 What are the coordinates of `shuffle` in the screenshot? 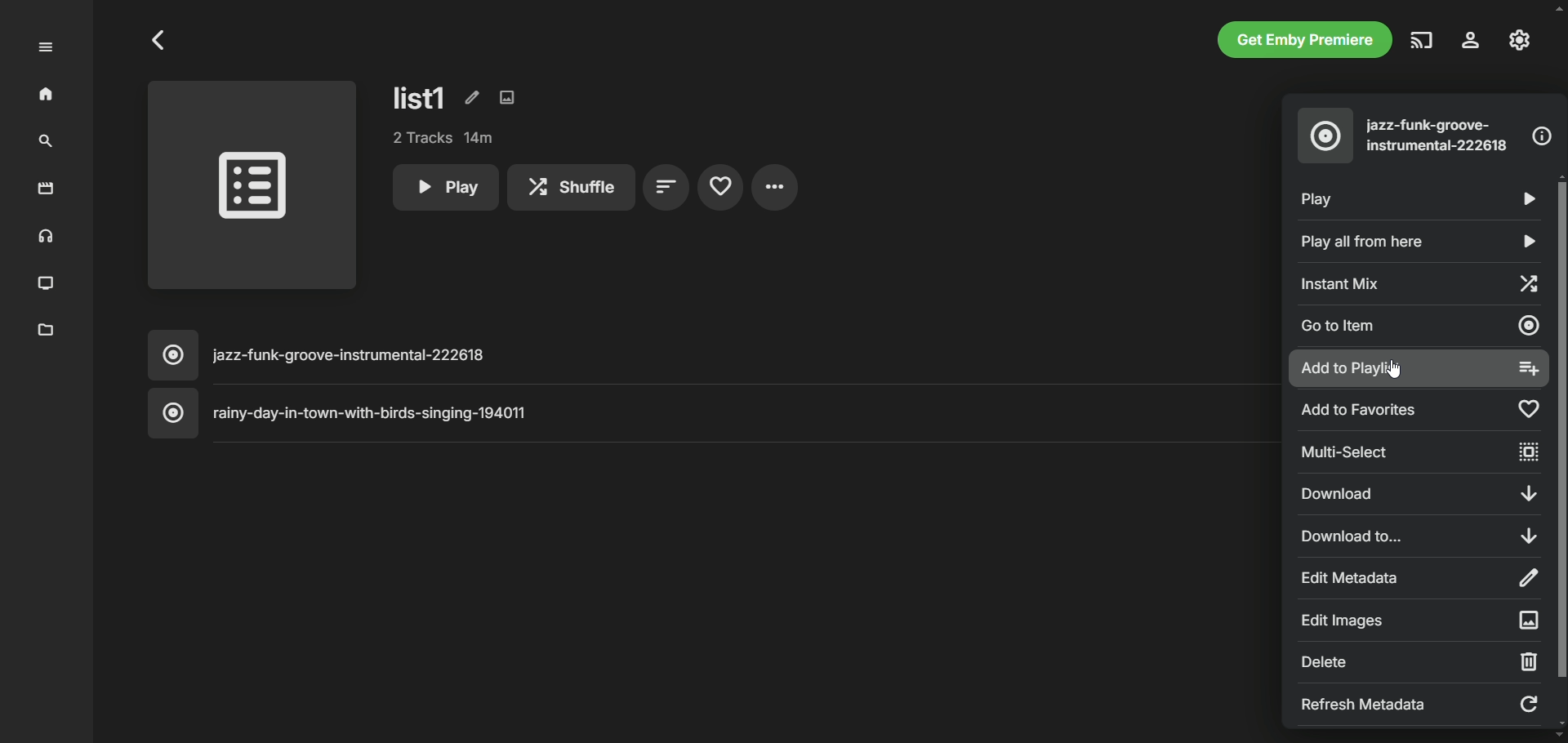 It's located at (571, 187).